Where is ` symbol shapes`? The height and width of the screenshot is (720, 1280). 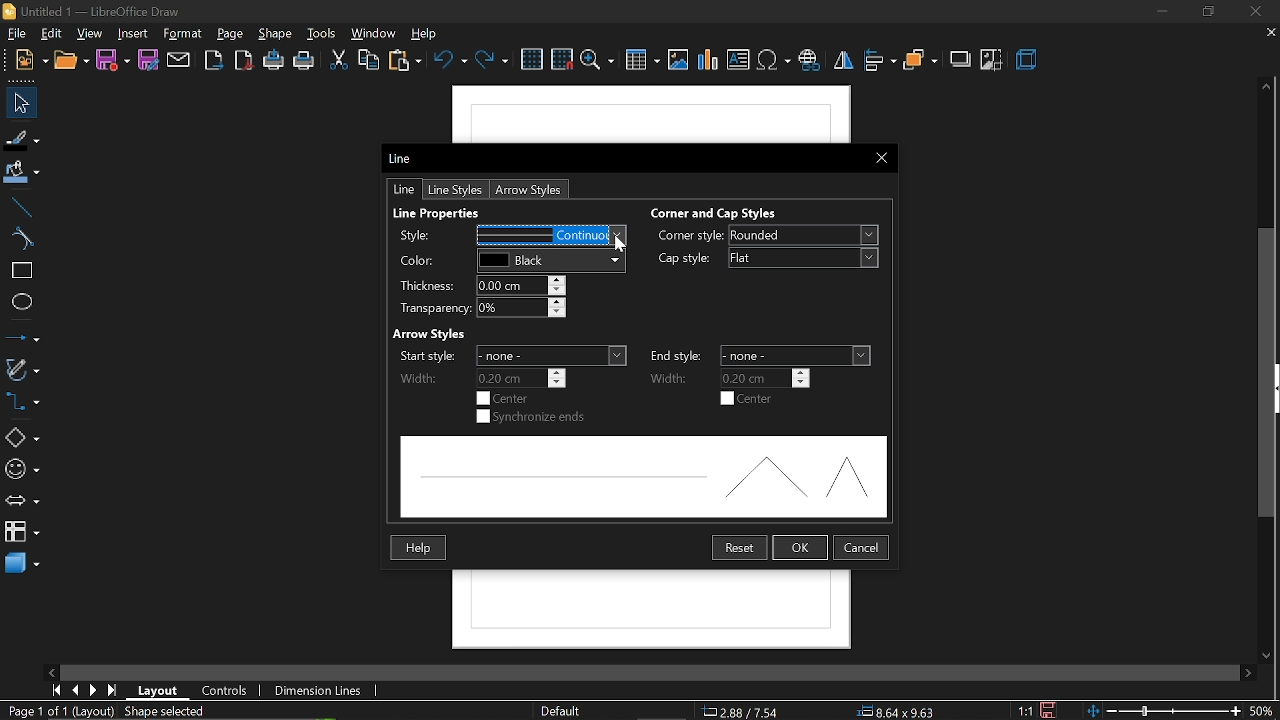  symbol shapes is located at coordinates (24, 471).